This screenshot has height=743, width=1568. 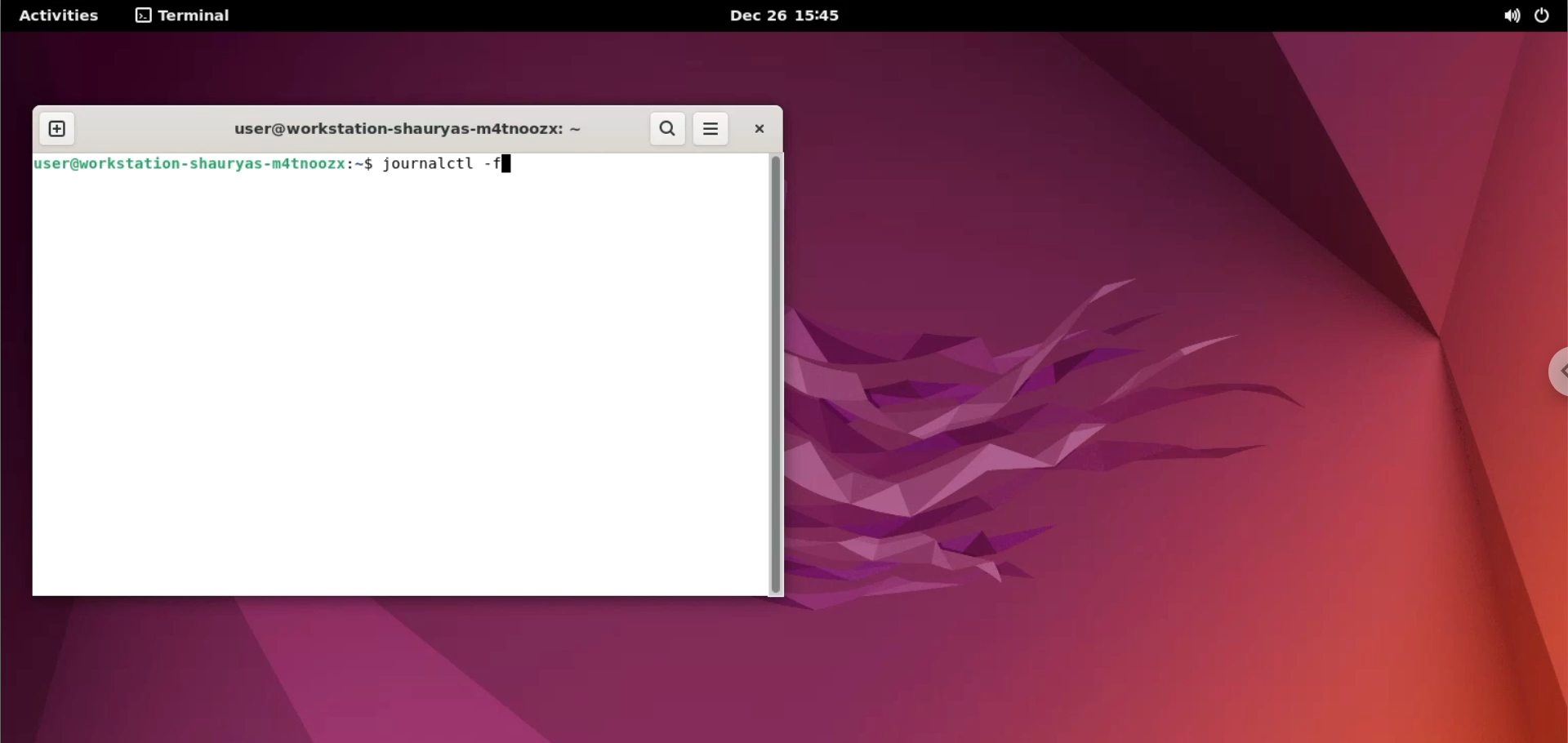 What do you see at coordinates (398, 393) in the screenshot?
I see `command input box` at bounding box center [398, 393].